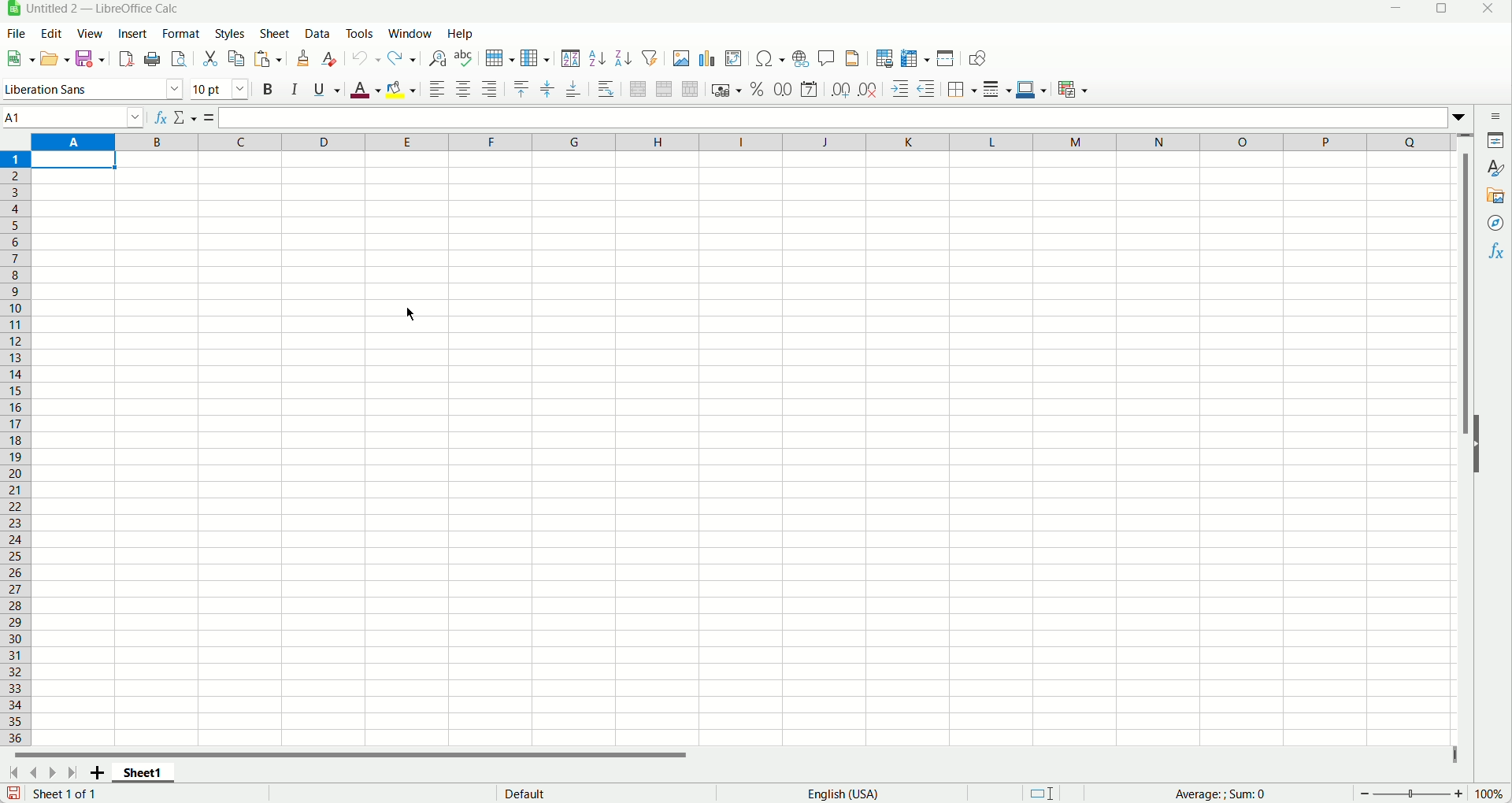 The image size is (1512, 803). I want to click on Columns, so click(740, 140).